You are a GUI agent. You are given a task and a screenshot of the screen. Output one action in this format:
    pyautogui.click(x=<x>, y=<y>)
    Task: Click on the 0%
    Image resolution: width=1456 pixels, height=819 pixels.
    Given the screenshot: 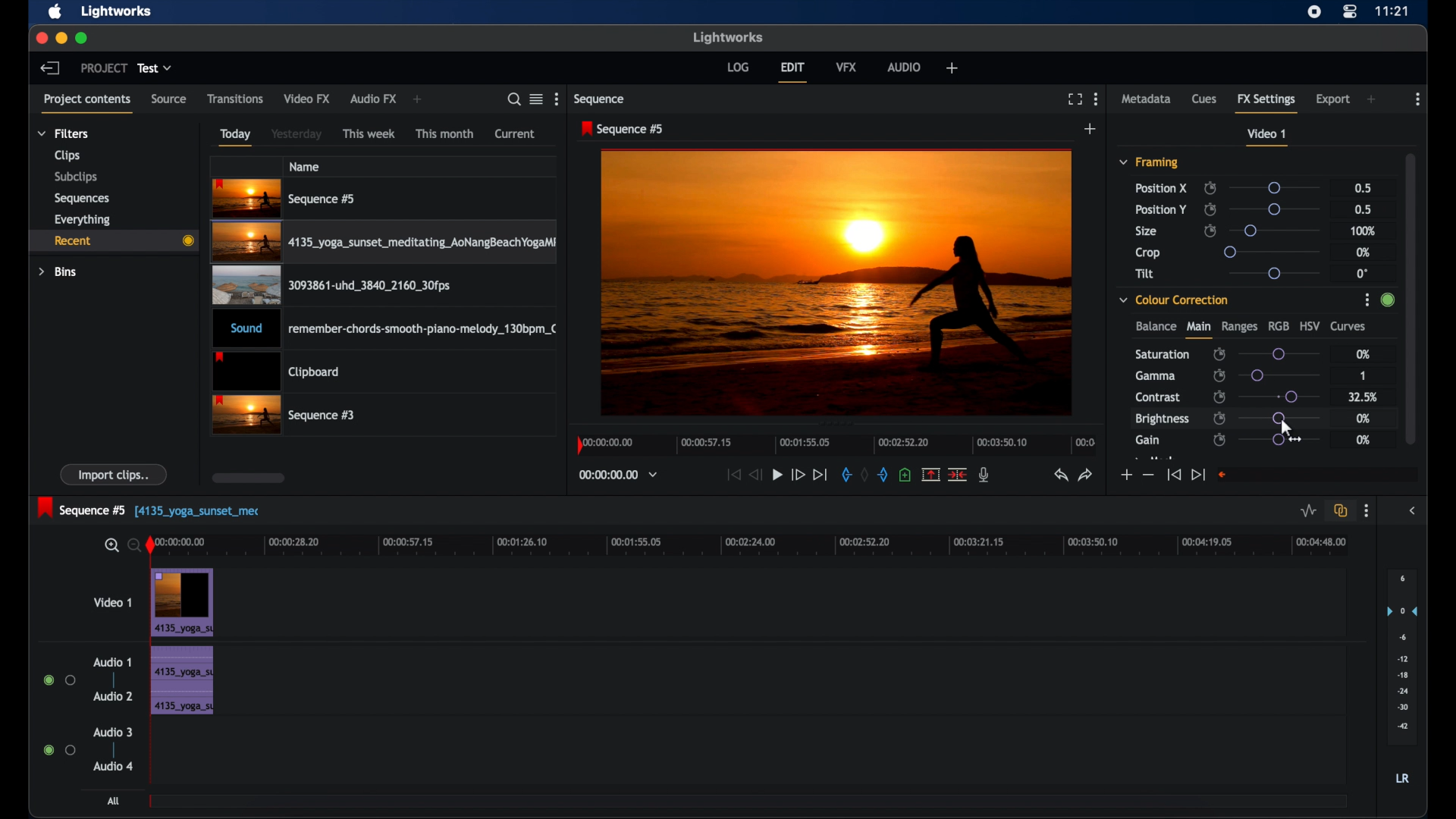 What is the action you would take?
    pyautogui.click(x=1361, y=252)
    